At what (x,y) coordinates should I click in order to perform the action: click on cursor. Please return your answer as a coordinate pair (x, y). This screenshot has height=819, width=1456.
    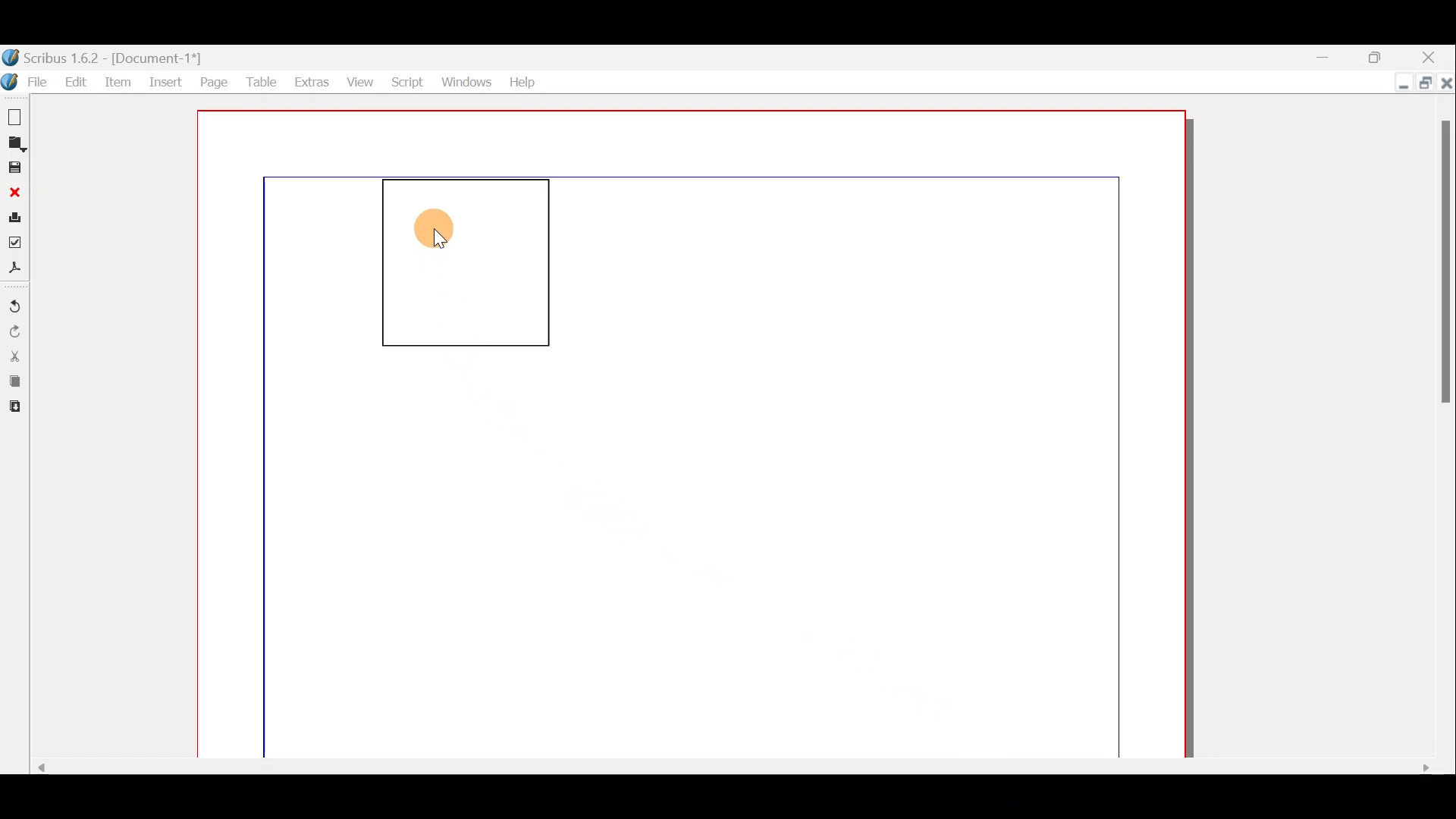
    Looking at the image, I should click on (441, 239).